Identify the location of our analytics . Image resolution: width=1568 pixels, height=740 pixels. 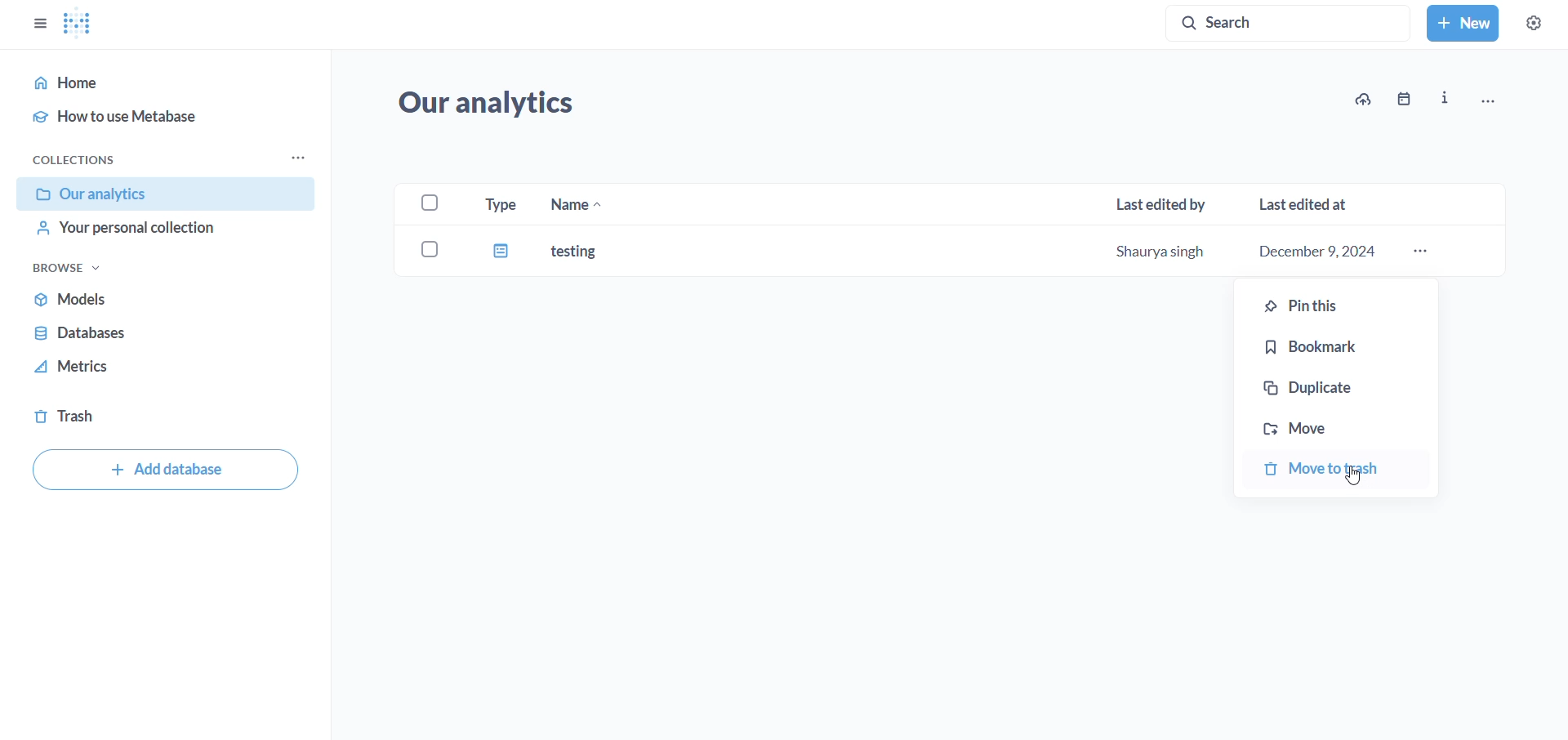
(497, 106).